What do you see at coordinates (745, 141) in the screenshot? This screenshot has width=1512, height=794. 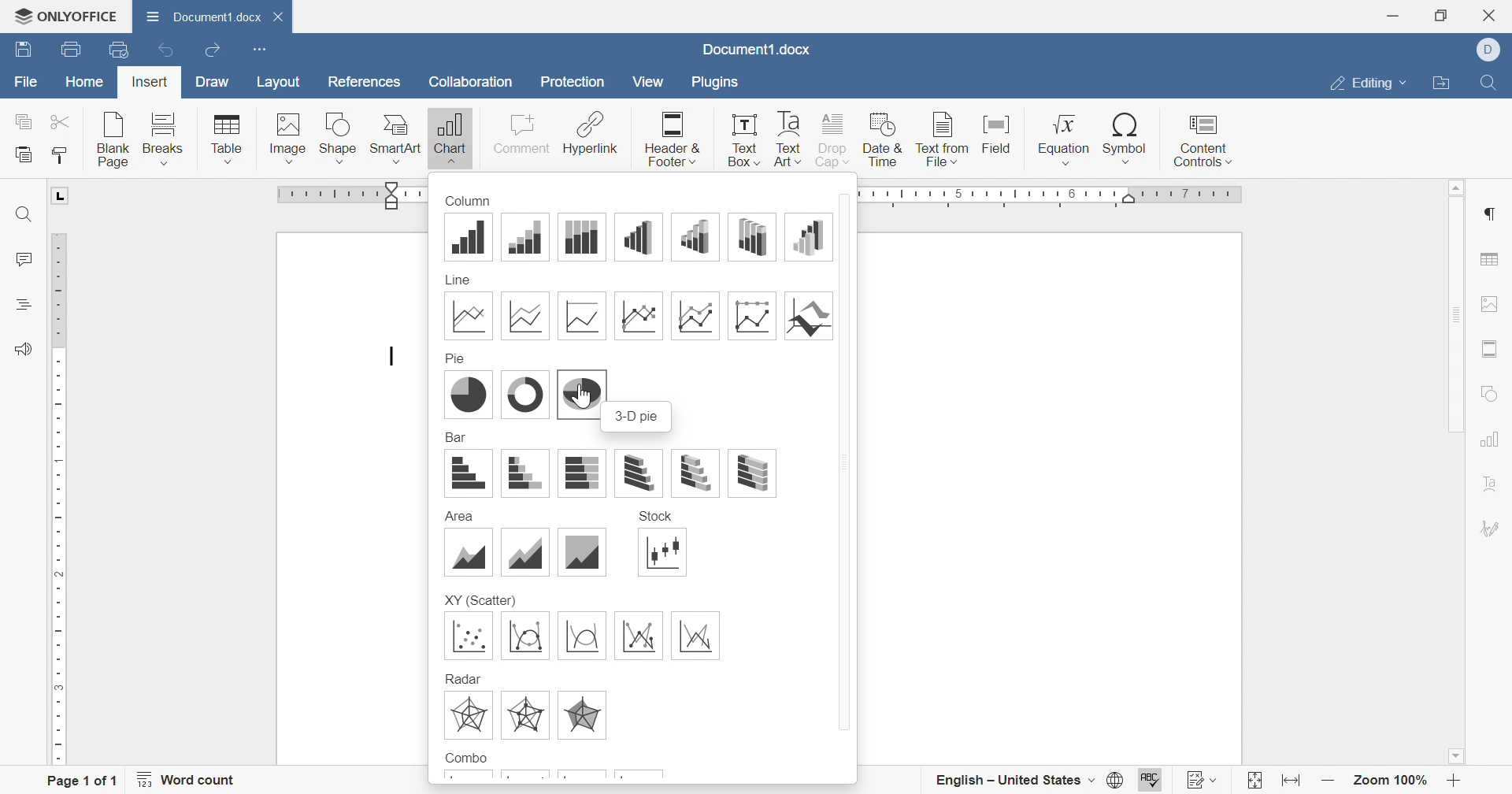 I see `Text Box` at bounding box center [745, 141].